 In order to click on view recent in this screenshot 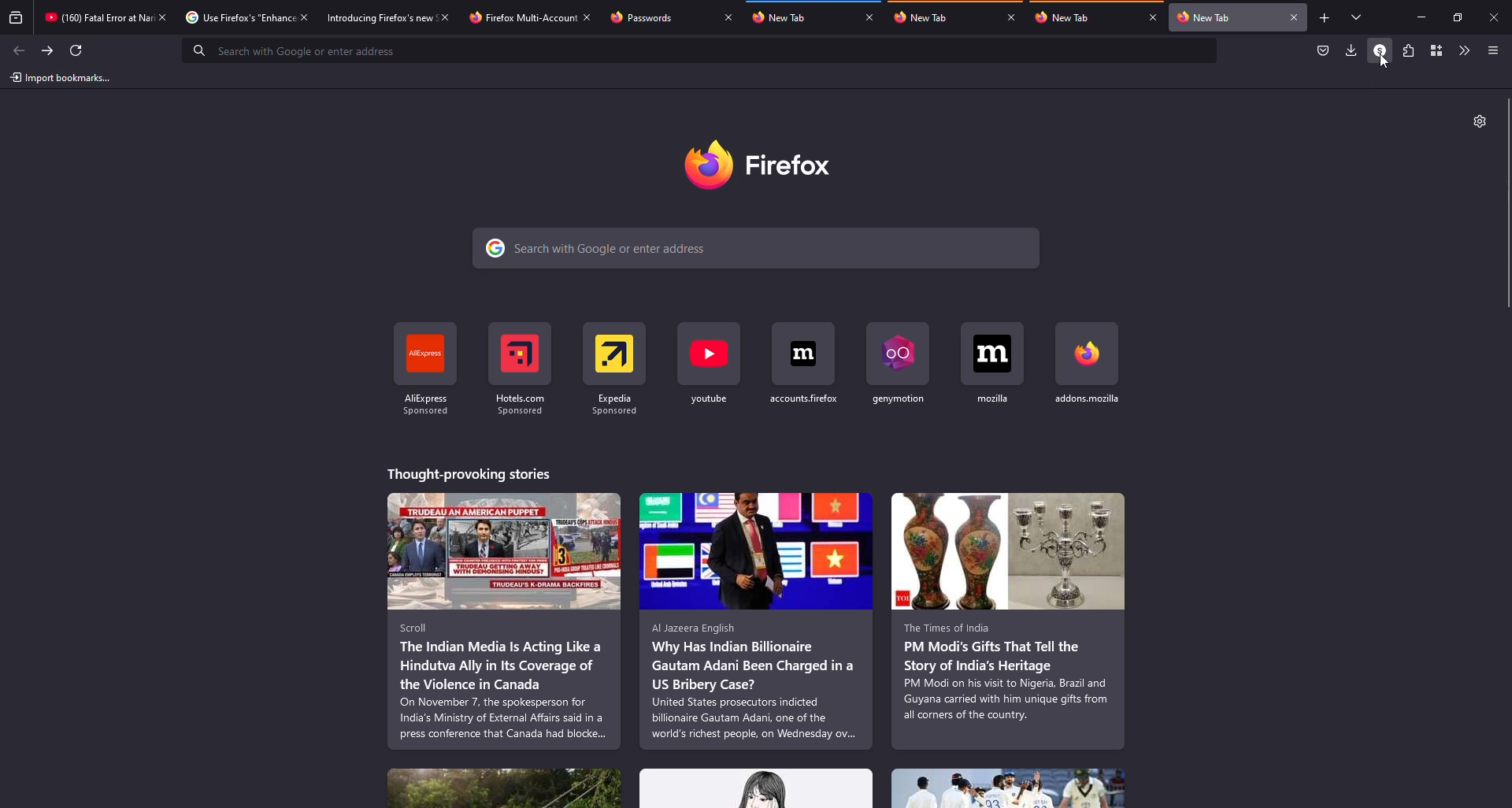, I will do `click(17, 17)`.